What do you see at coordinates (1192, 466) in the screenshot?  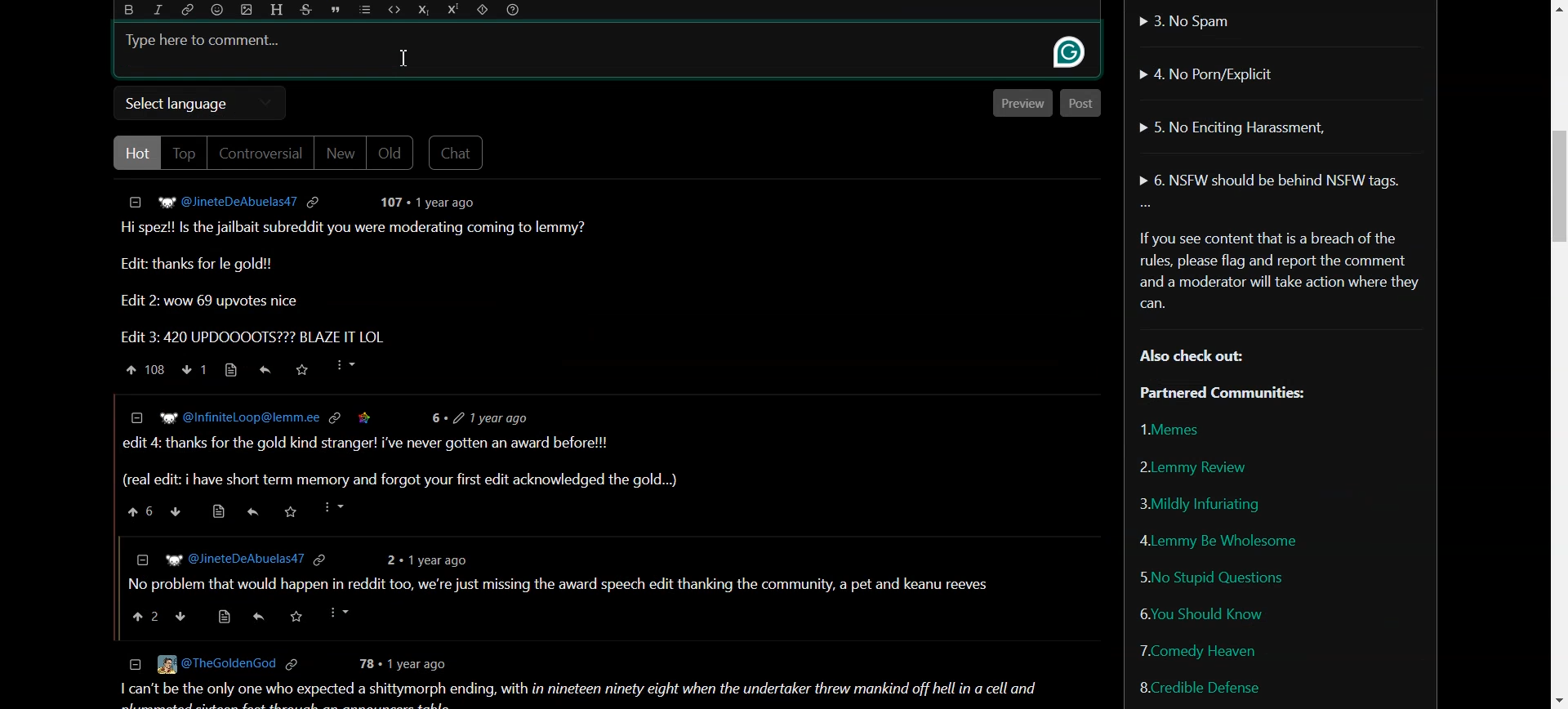 I see `Lemmy Review` at bounding box center [1192, 466].